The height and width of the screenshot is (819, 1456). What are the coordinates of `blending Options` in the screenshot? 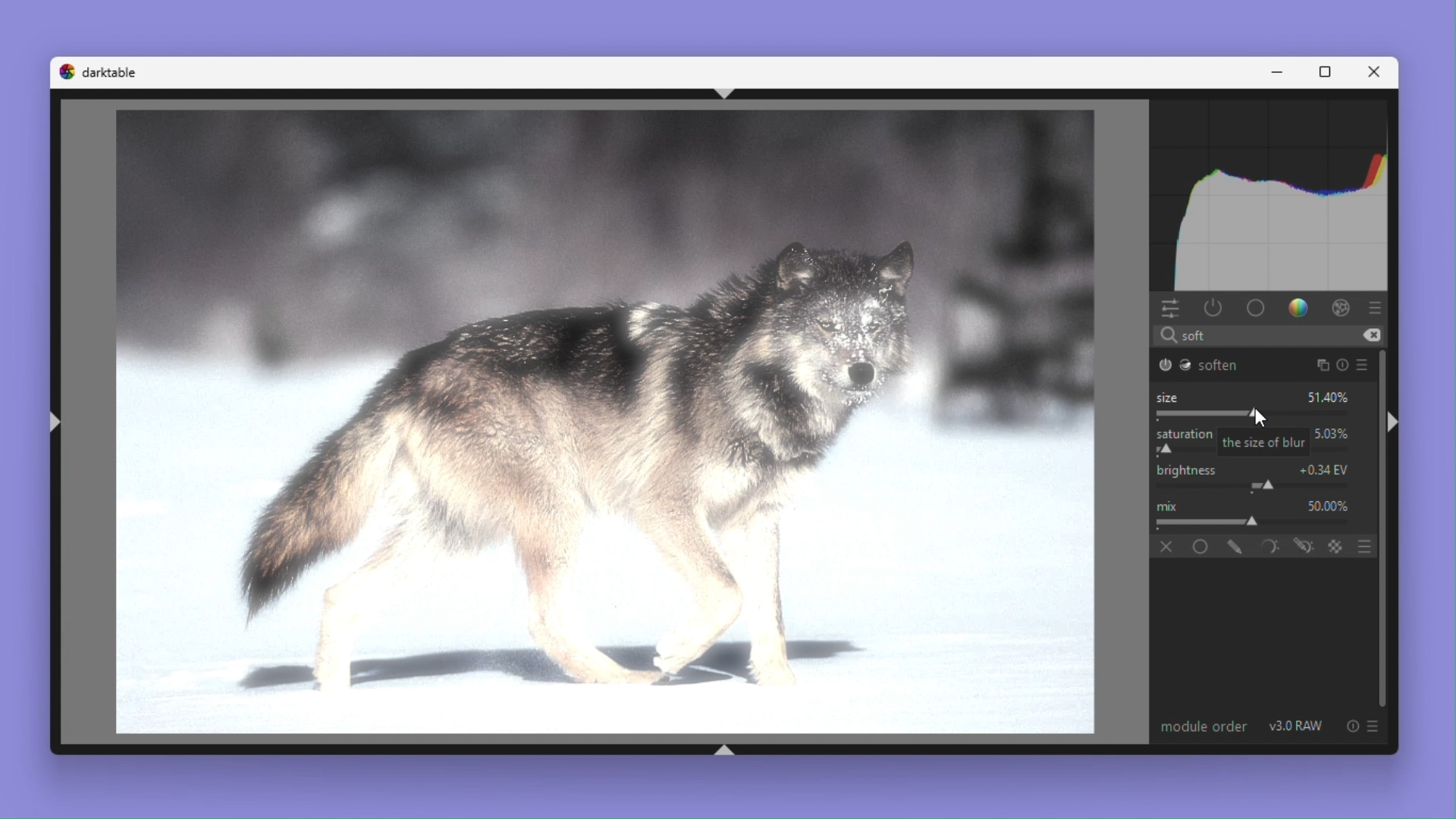 It's located at (1367, 546).